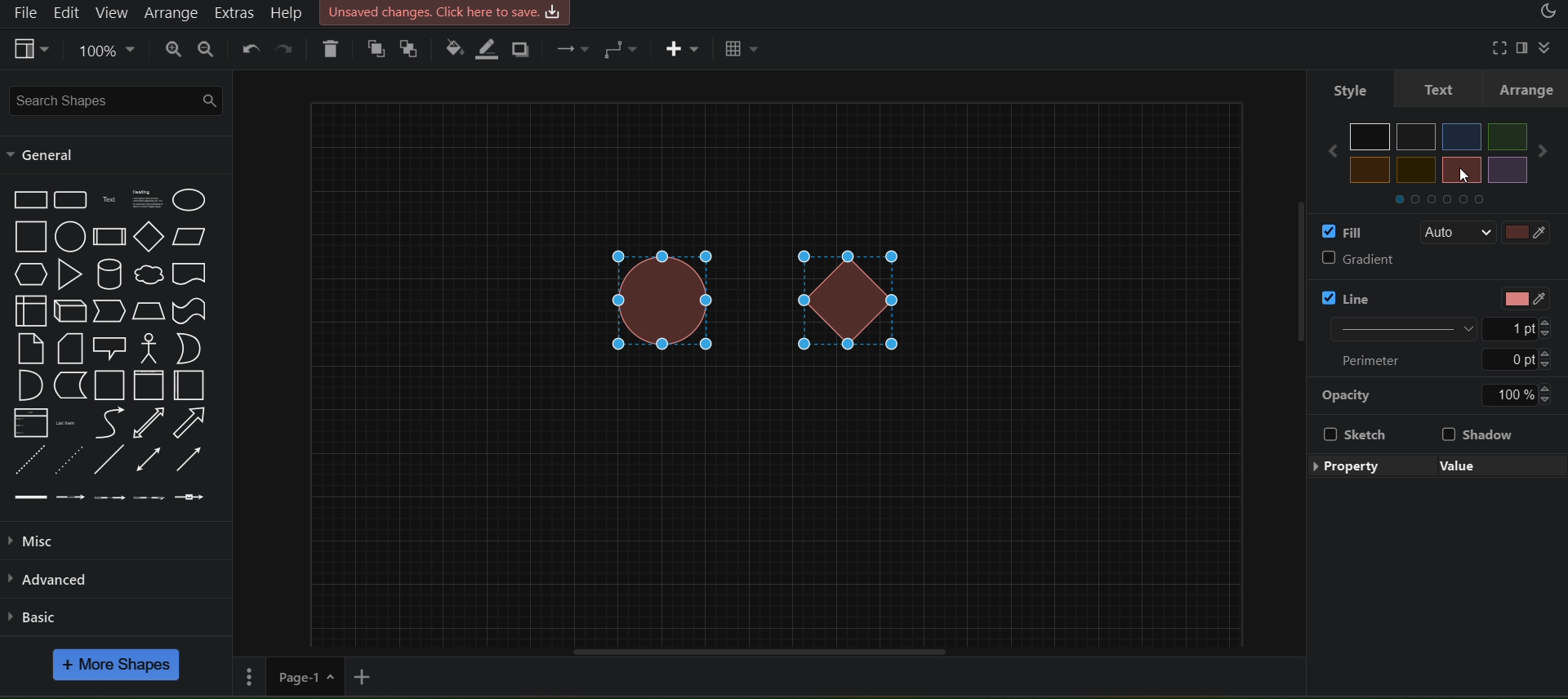 This screenshot has height=699, width=1568. What do you see at coordinates (148, 311) in the screenshot?
I see `Trapezoid` at bounding box center [148, 311].